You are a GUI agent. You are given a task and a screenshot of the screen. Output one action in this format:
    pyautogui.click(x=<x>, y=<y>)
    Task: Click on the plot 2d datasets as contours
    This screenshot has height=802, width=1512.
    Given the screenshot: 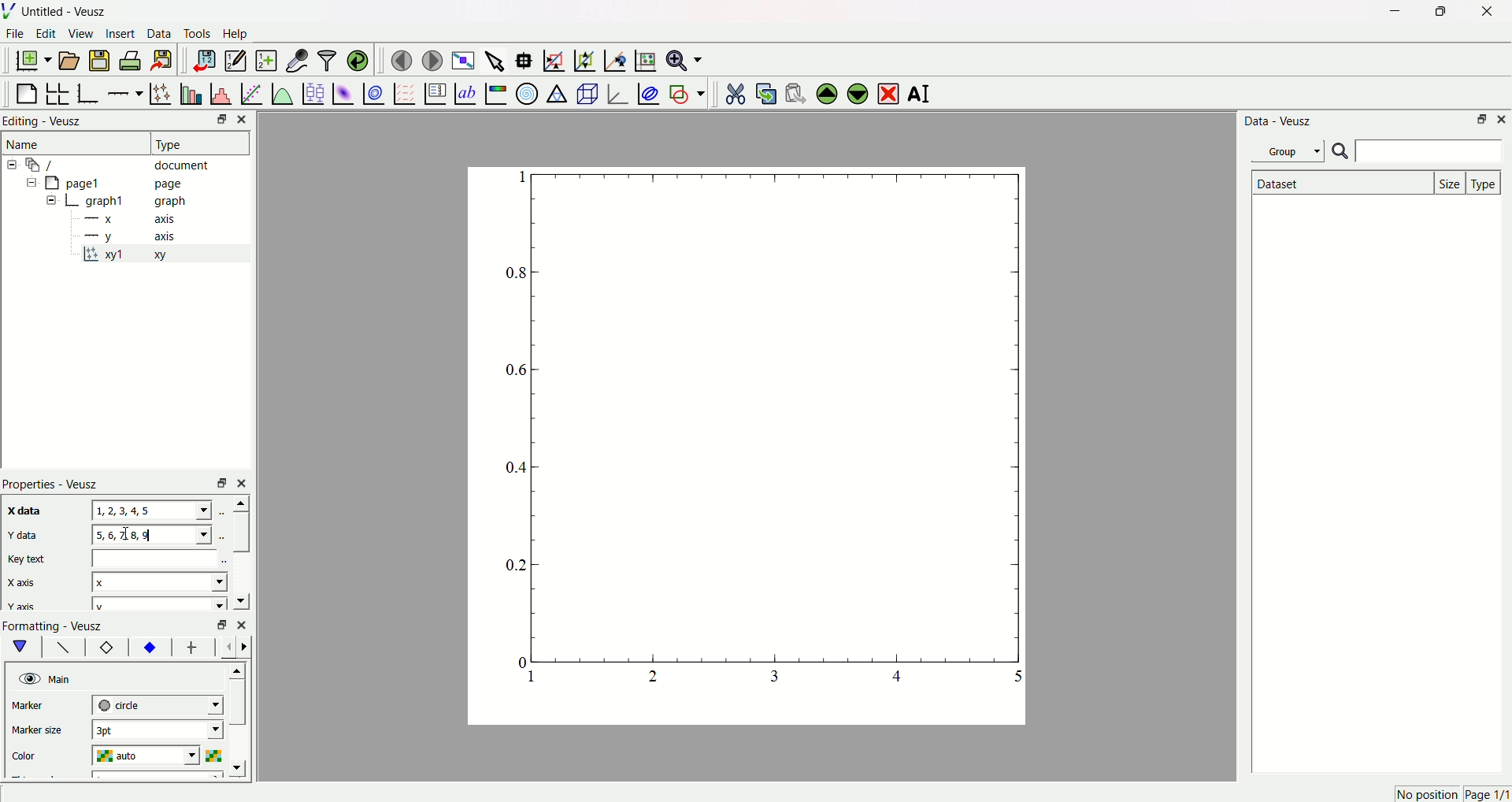 What is the action you would take?
    pyautogui.click(x=372, y=93)
    